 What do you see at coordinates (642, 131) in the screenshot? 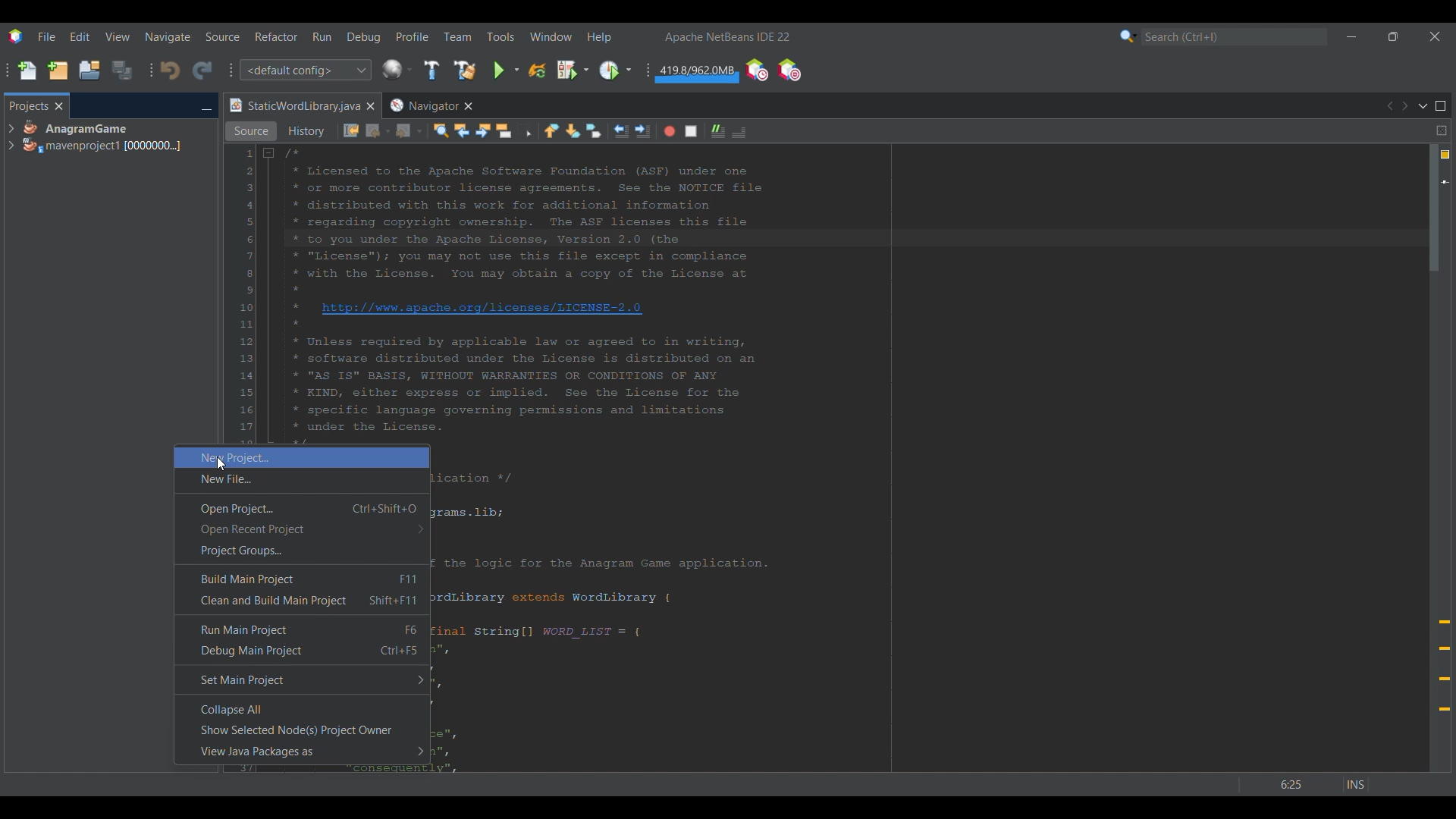
I see `Shift line right` at bounding box center [642, 131].